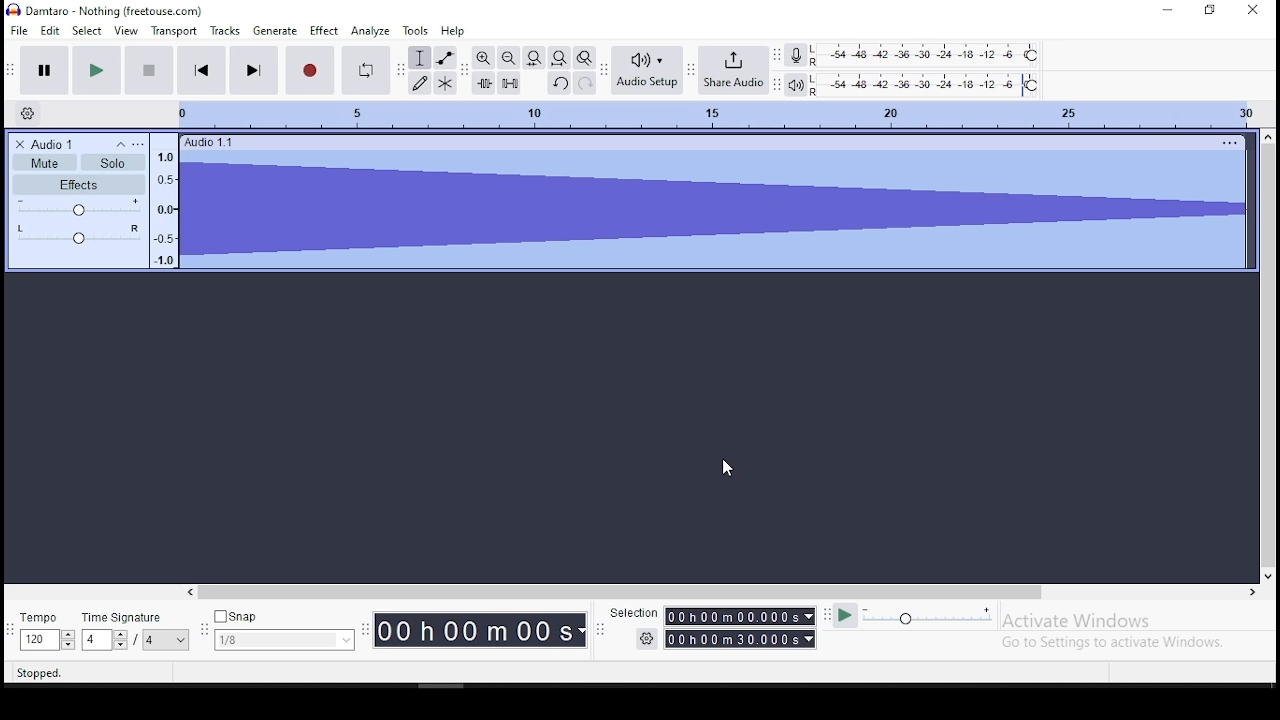 This screenshot has height=720, width=1280. Describe the element at coordinates (419, 83) in the screenshot. I see `draw tool` at that location.